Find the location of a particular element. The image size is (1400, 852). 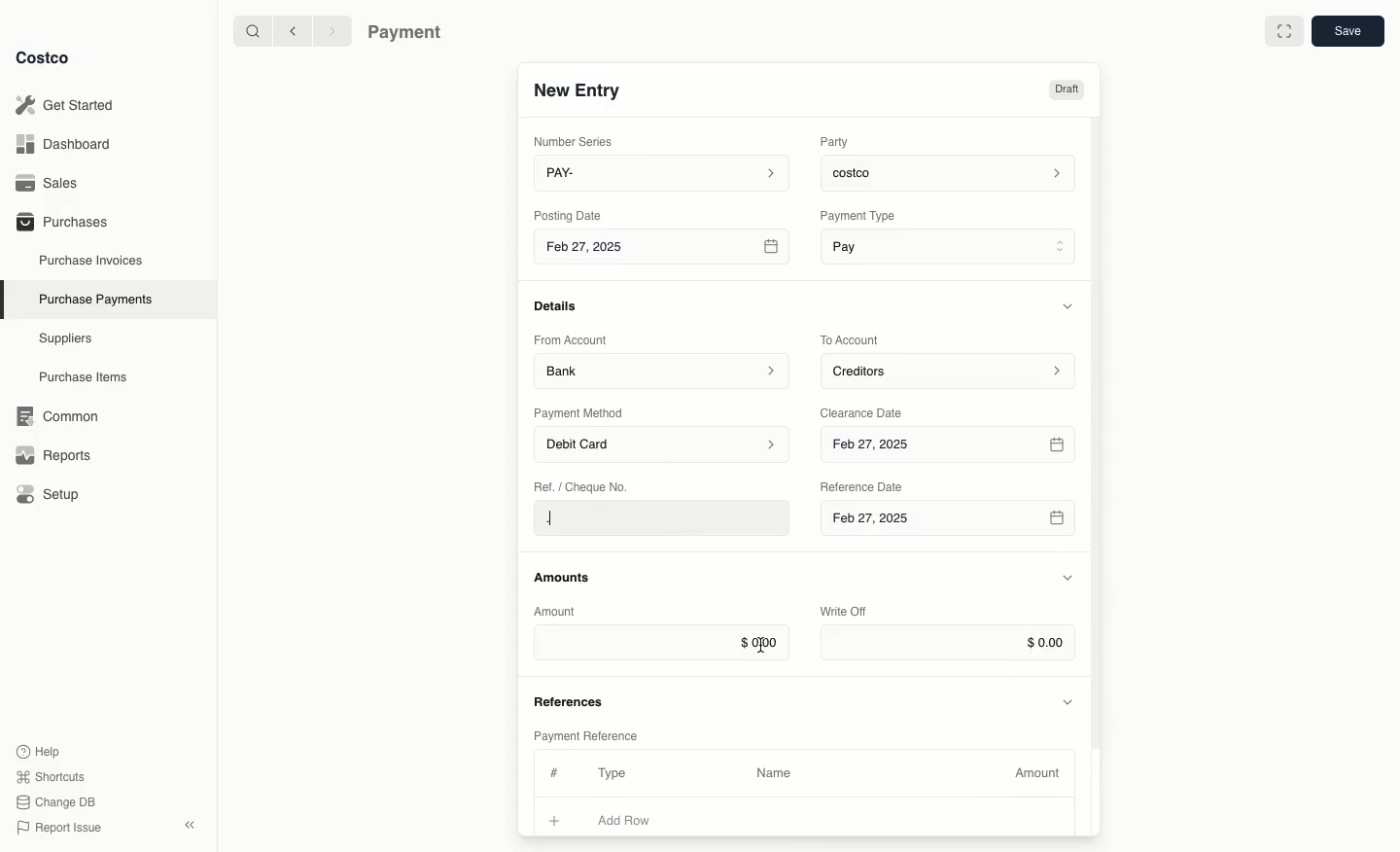

# is located at coordinates (551, 770).